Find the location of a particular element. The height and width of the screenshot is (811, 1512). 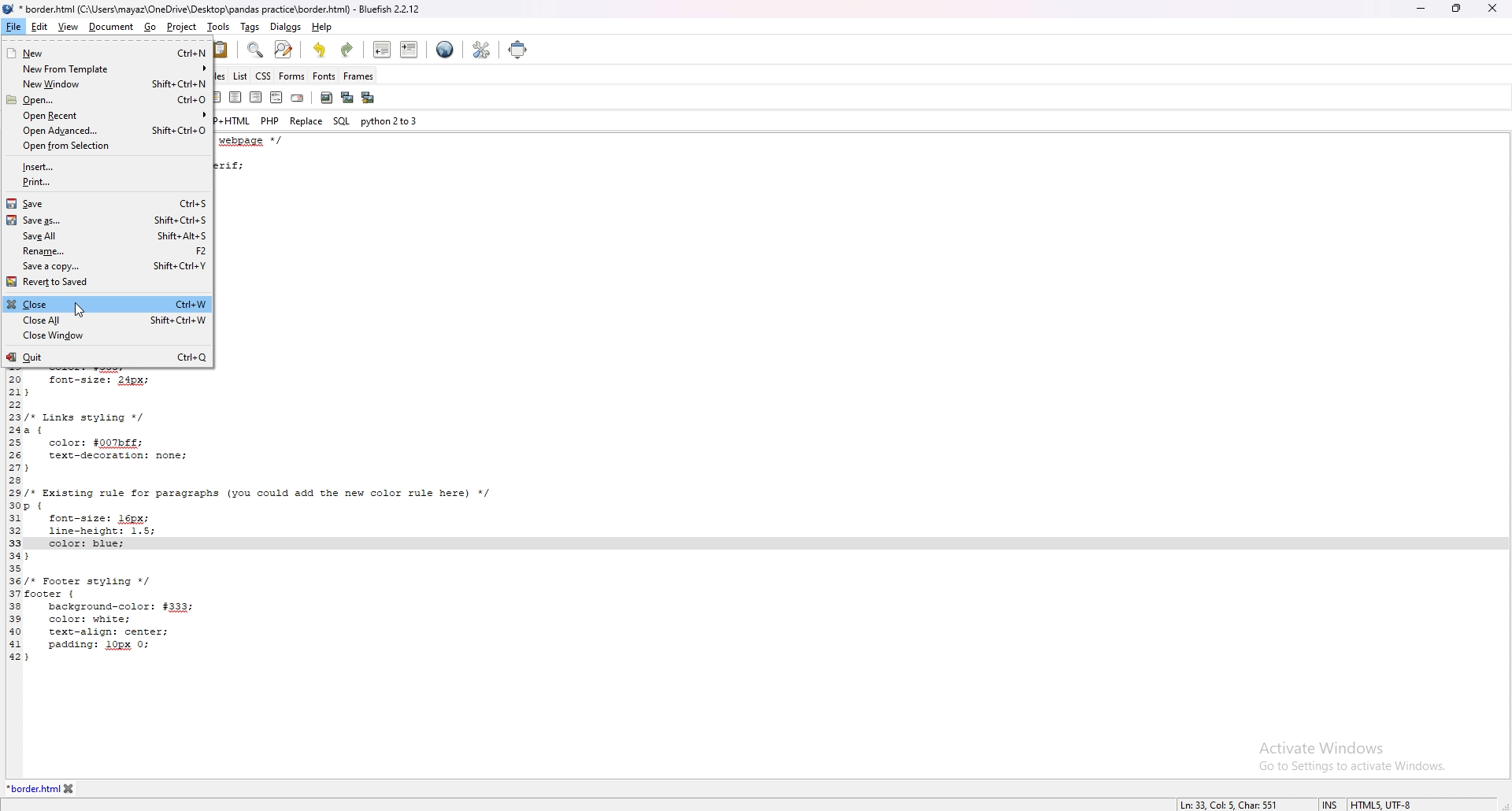

ctrl+w is located at coordinates (184, 304).